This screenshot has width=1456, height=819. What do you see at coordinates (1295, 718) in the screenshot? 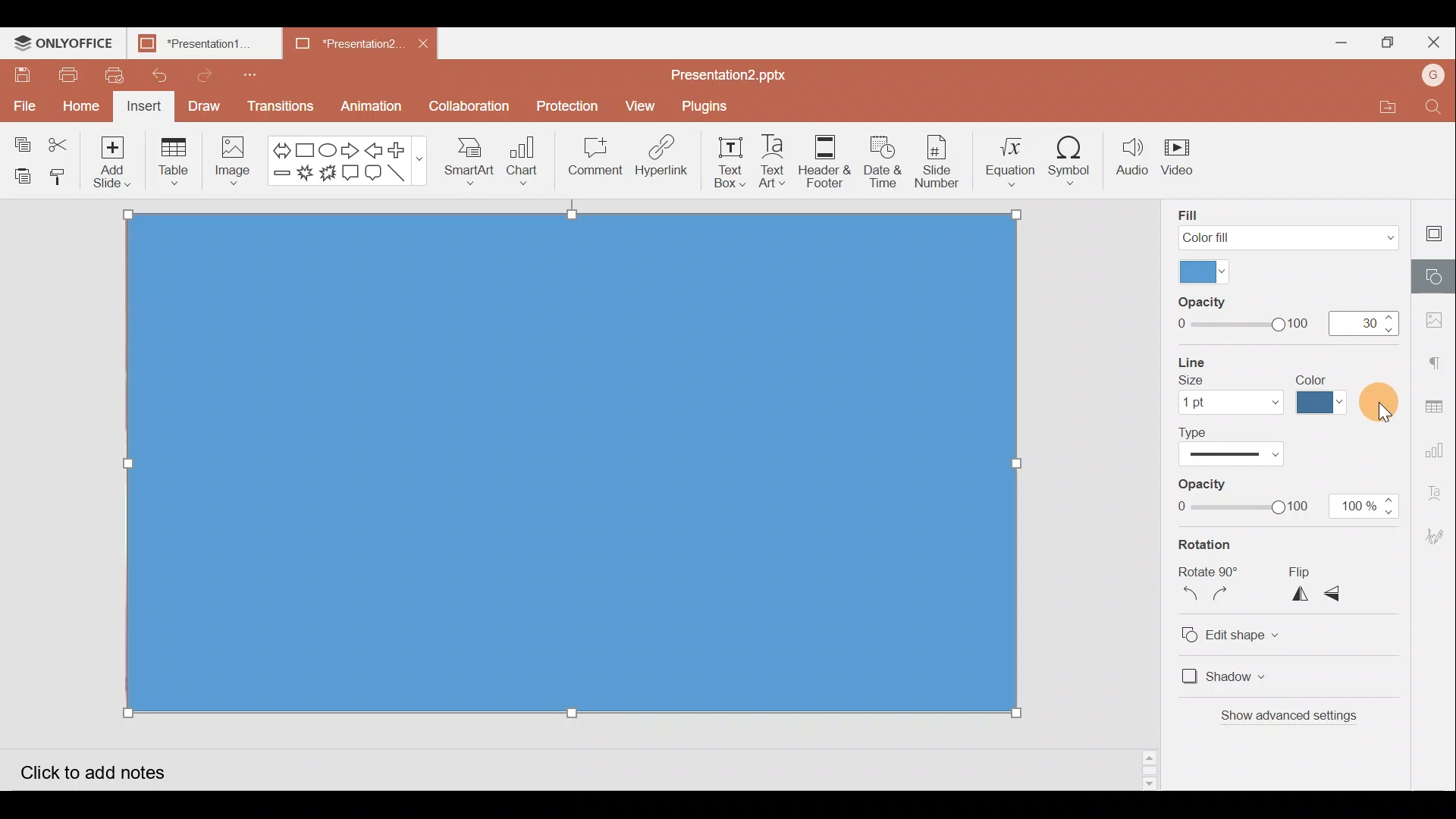
I see `Show advanced settings` at bounding box center [1295, 718].